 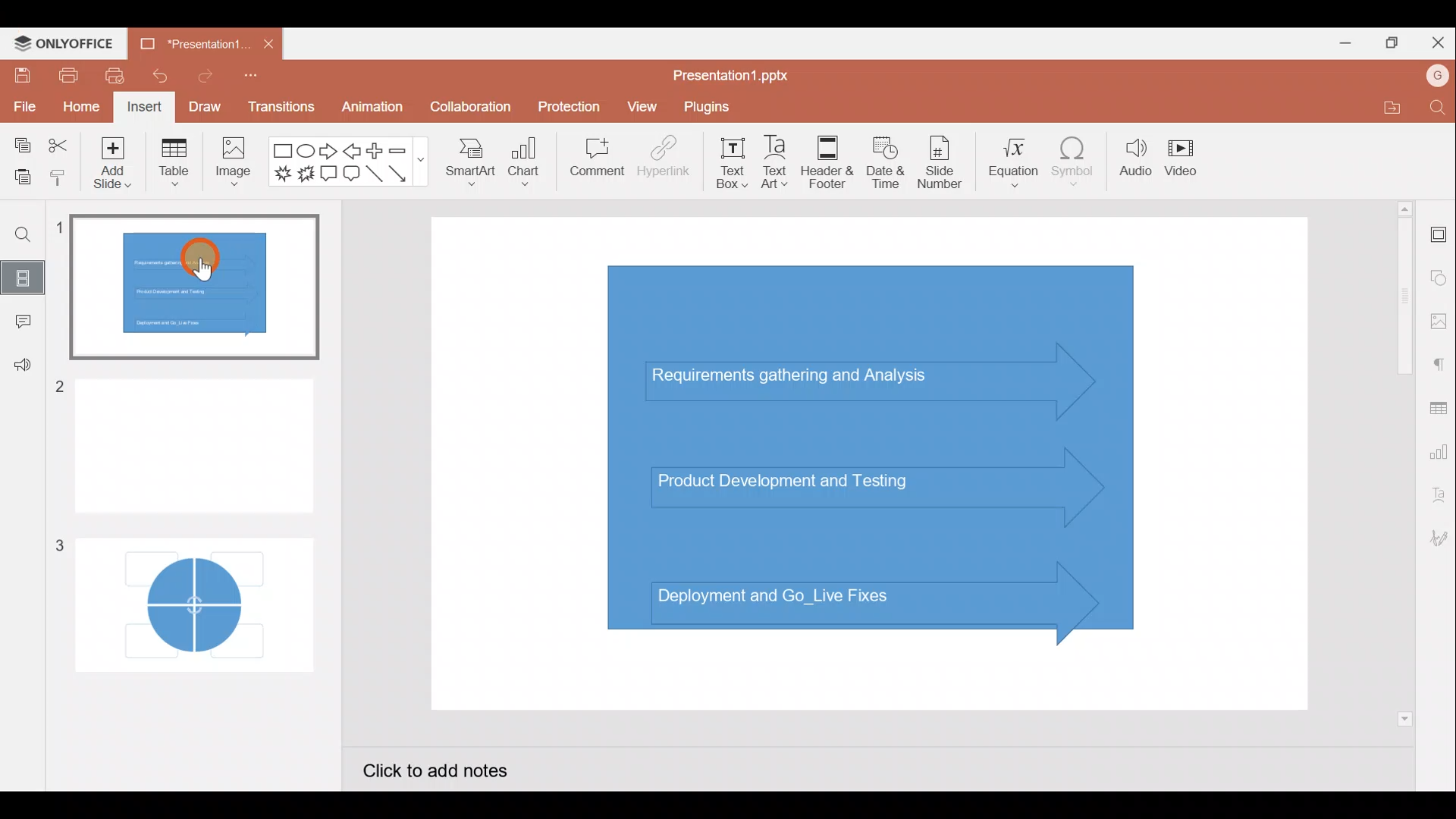 What do you see at coordinates (249, 79) in the screenshot?
I see `Customize quick access toolbar` at bounding box center [249, 79].